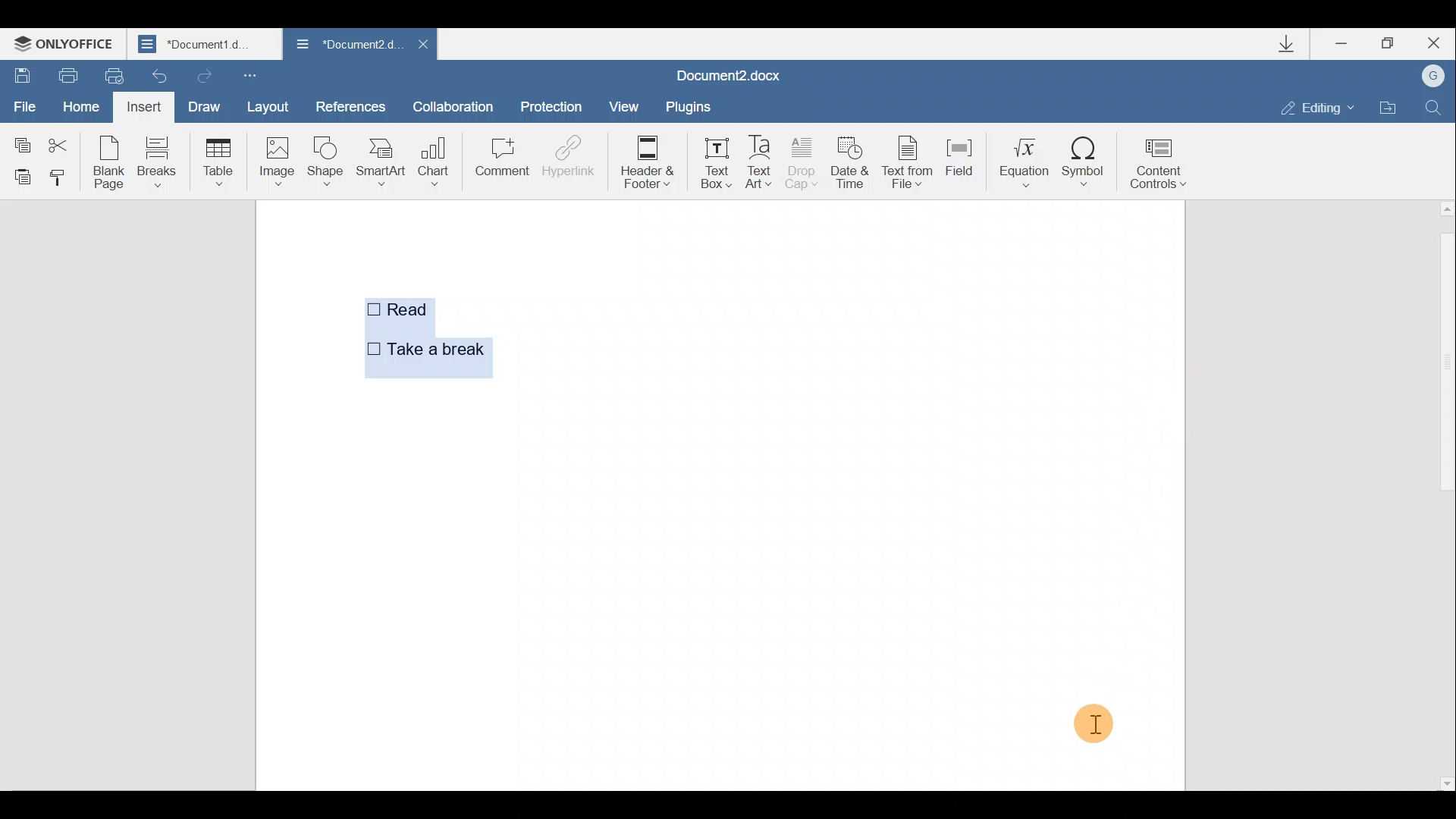 This screenshot has width=1456, height=819. What do you see at coordinates (1394, 42) in the screenshot?
I see `Maximize` at bounding box center [1394, 42].